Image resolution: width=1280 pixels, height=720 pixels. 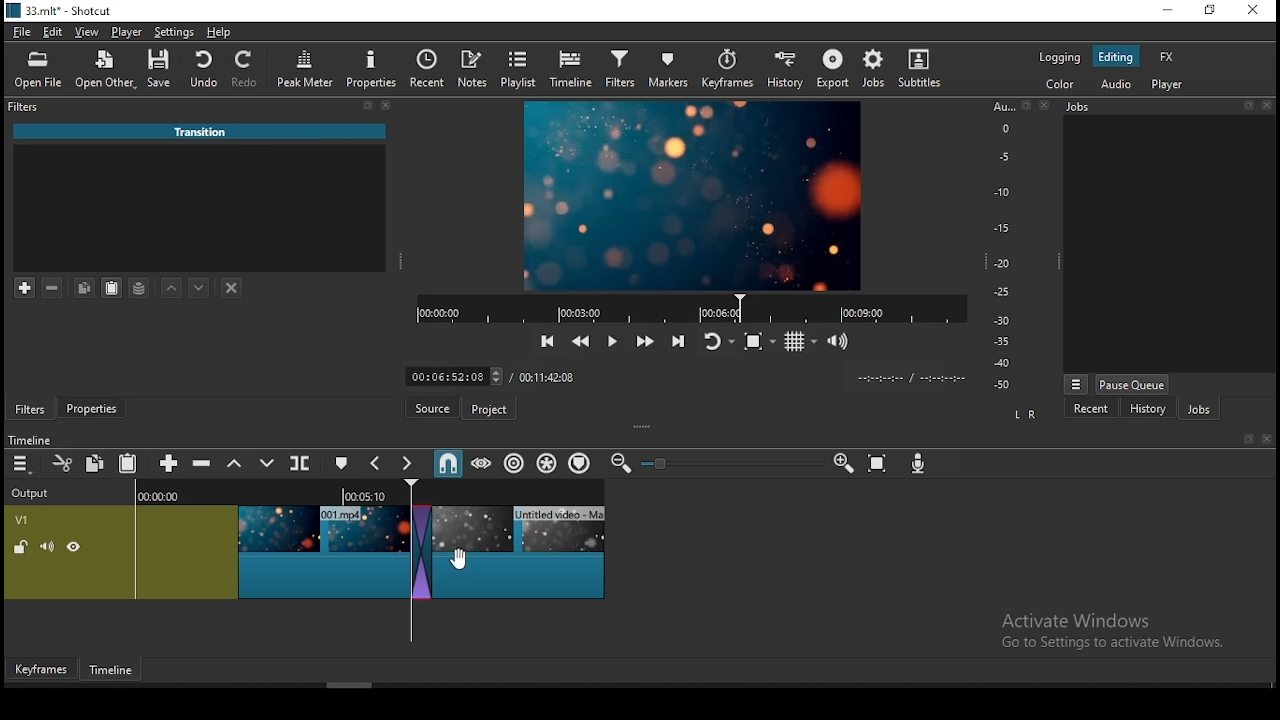 I want to click on editing, so click(x=1117, y=60).